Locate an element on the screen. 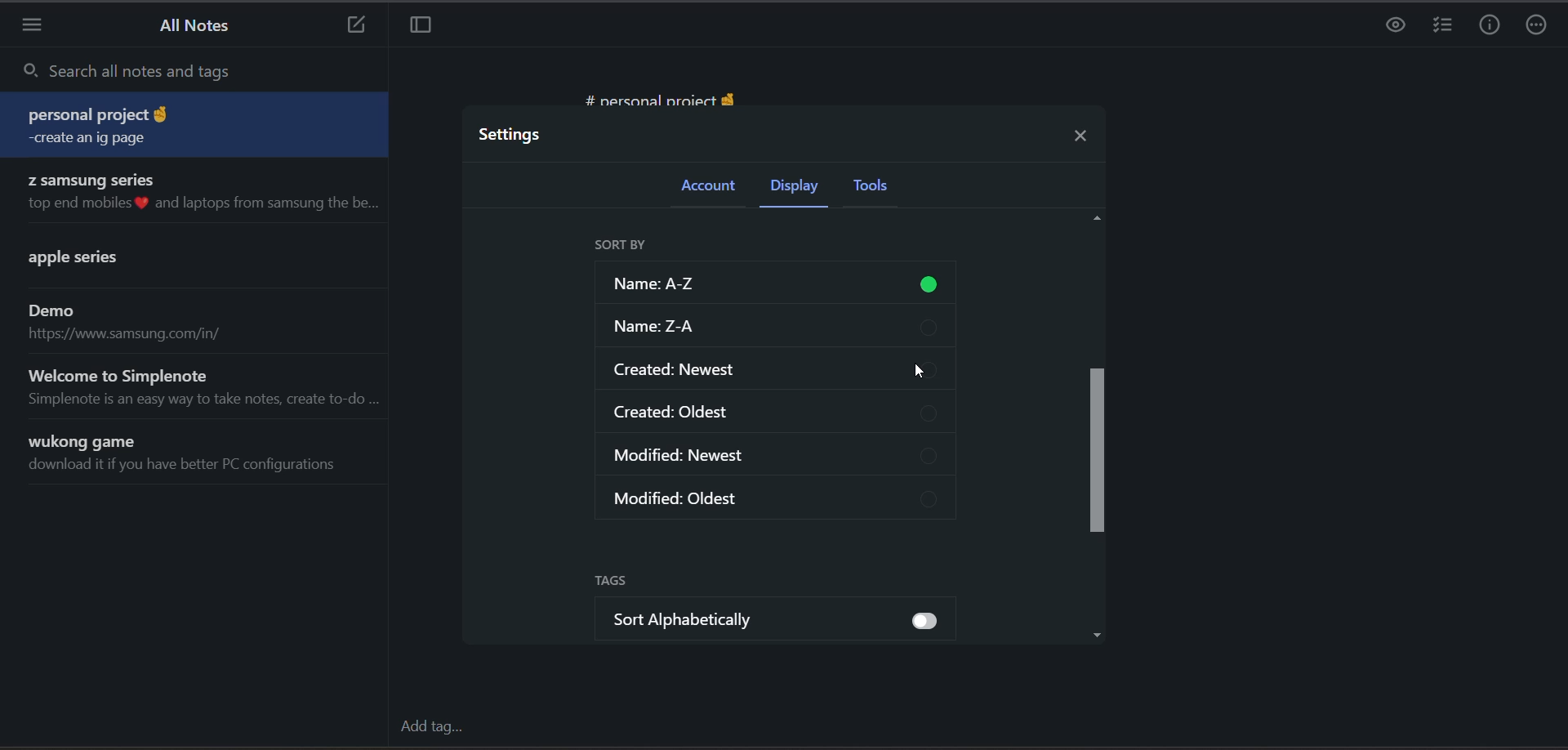  settings is located at coordinates (517, 137).